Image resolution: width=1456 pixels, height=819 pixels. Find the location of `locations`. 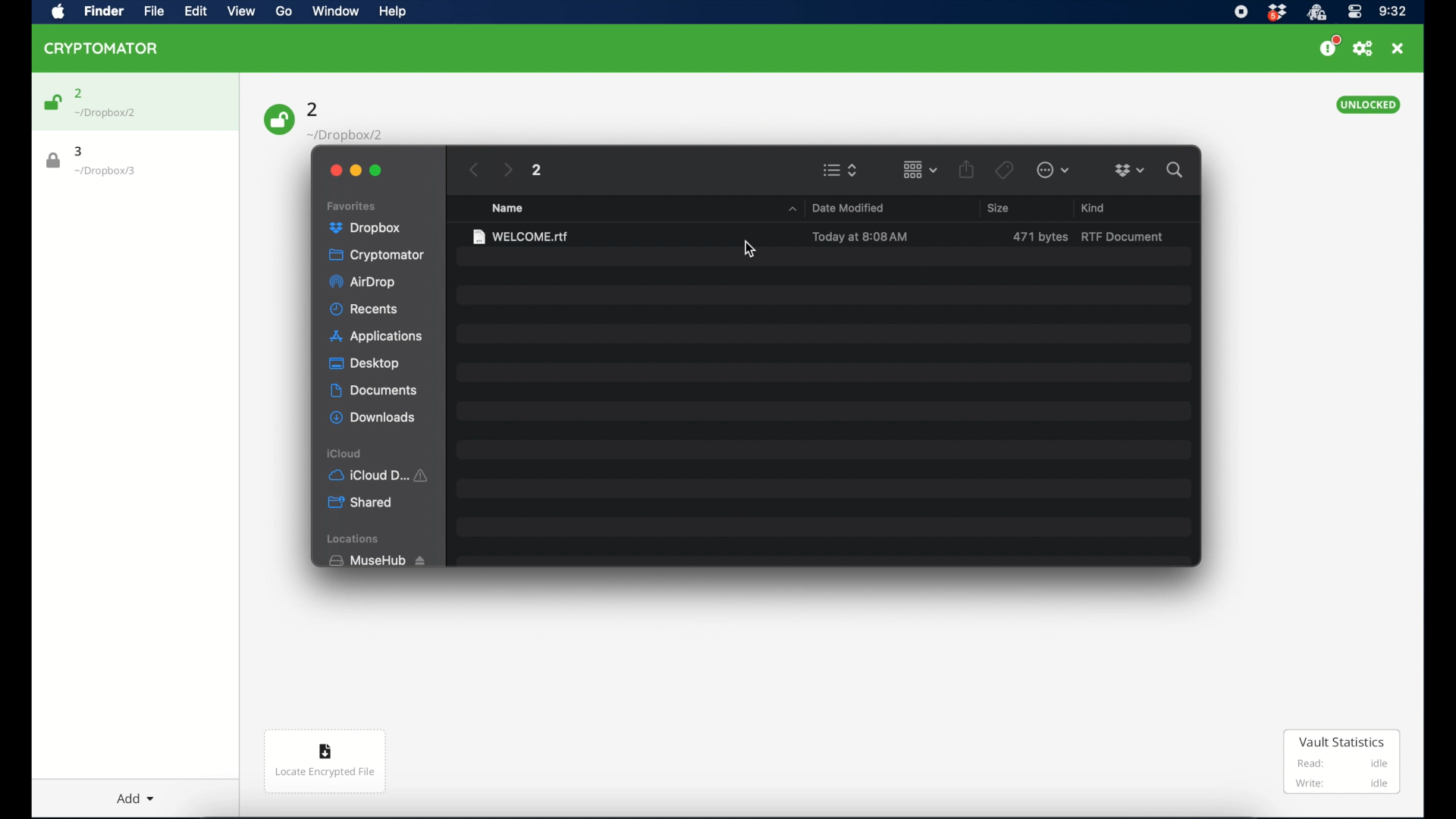

locations is located at coordinates (354, 538).